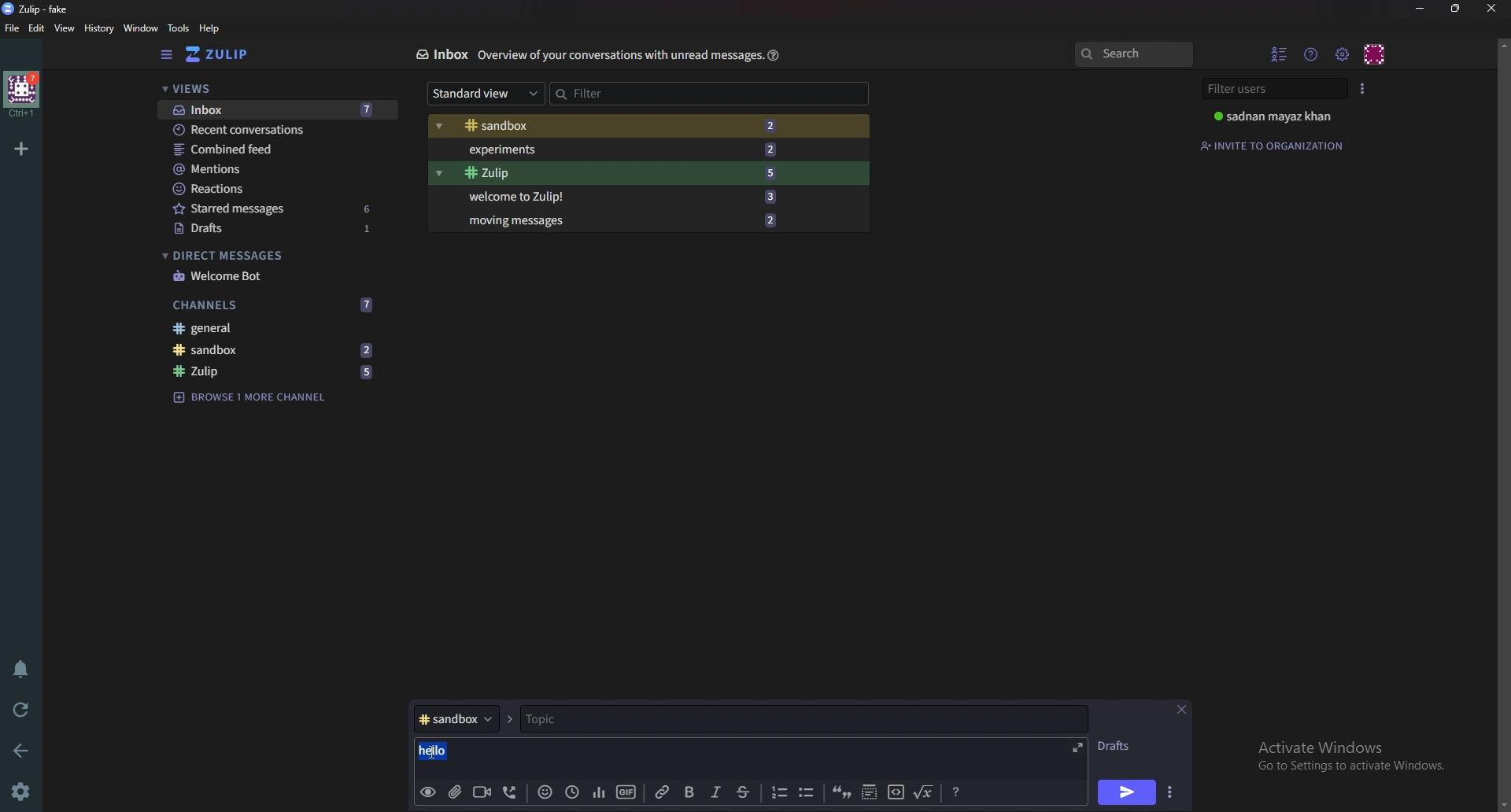 The height and width of the screenshot is (812, 1511). I want to click on Inbox, so click(441, 53).